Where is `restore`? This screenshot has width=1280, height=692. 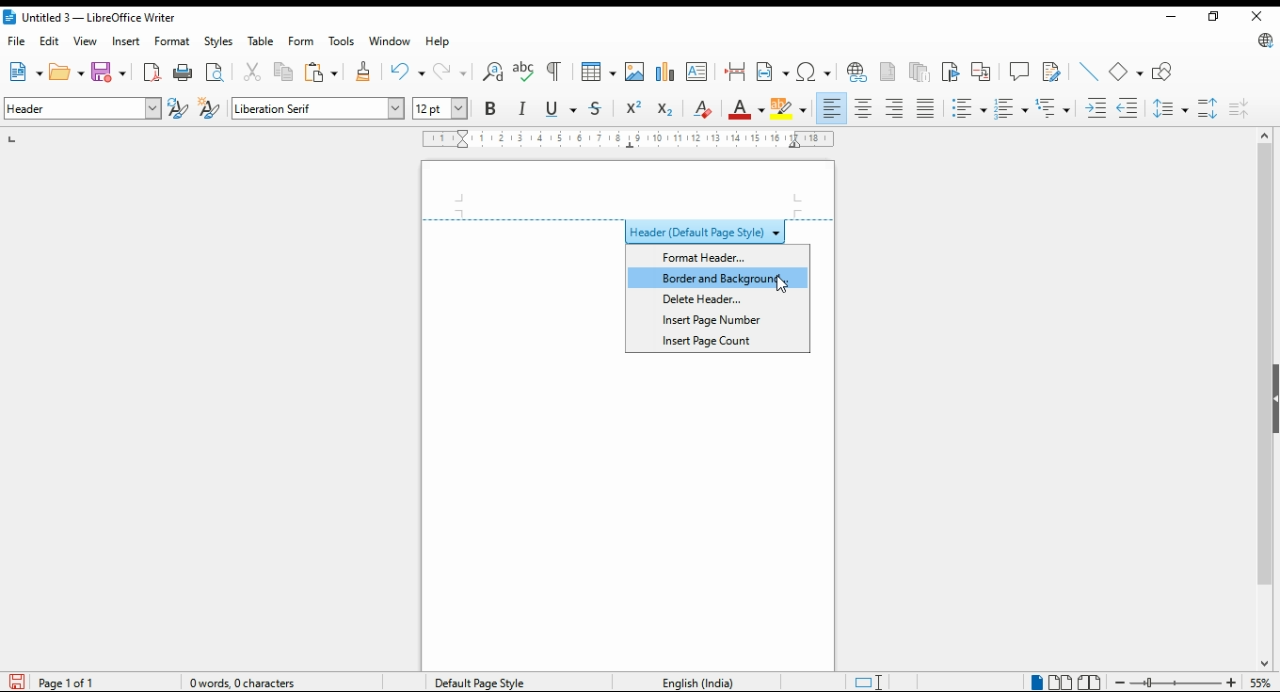
restore is located at coordinates (1212, 16).